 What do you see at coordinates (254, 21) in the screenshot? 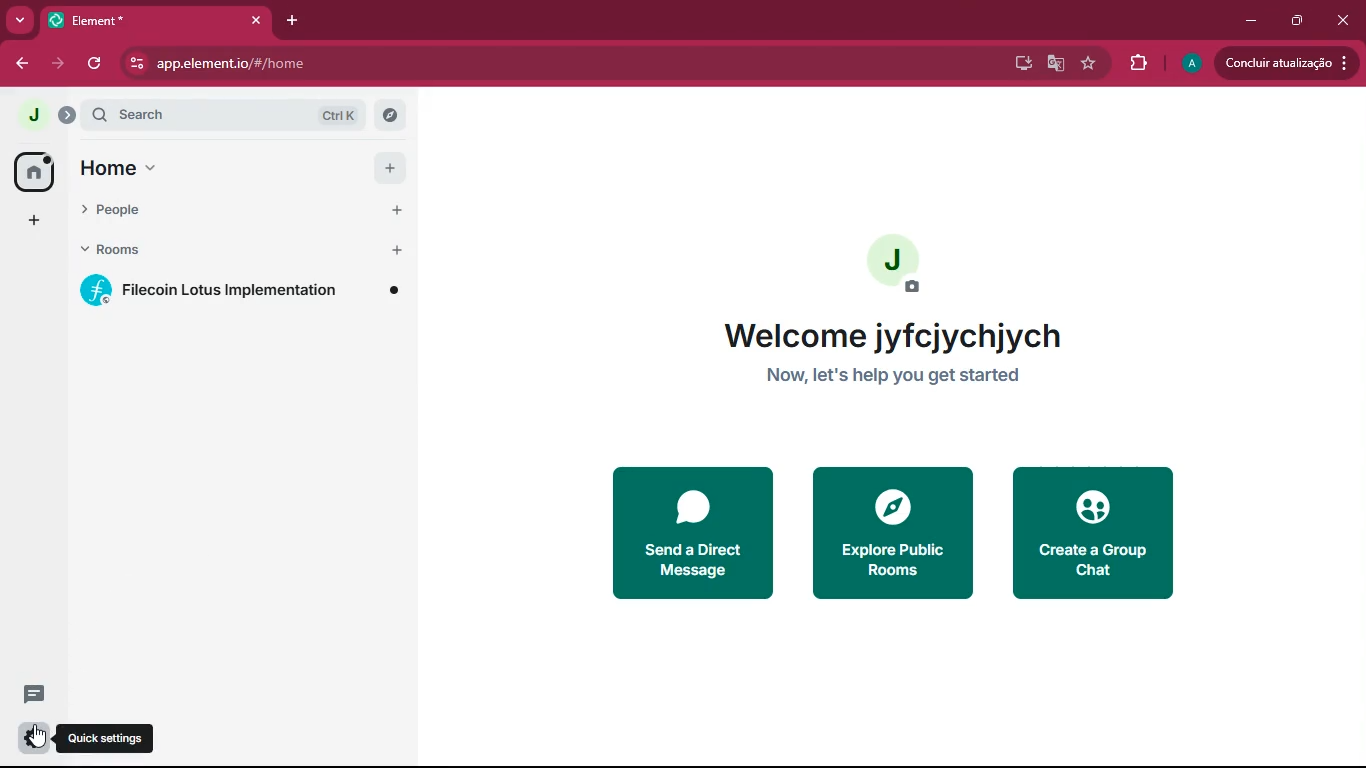
I see `Close` at bounding box center [254, 21].